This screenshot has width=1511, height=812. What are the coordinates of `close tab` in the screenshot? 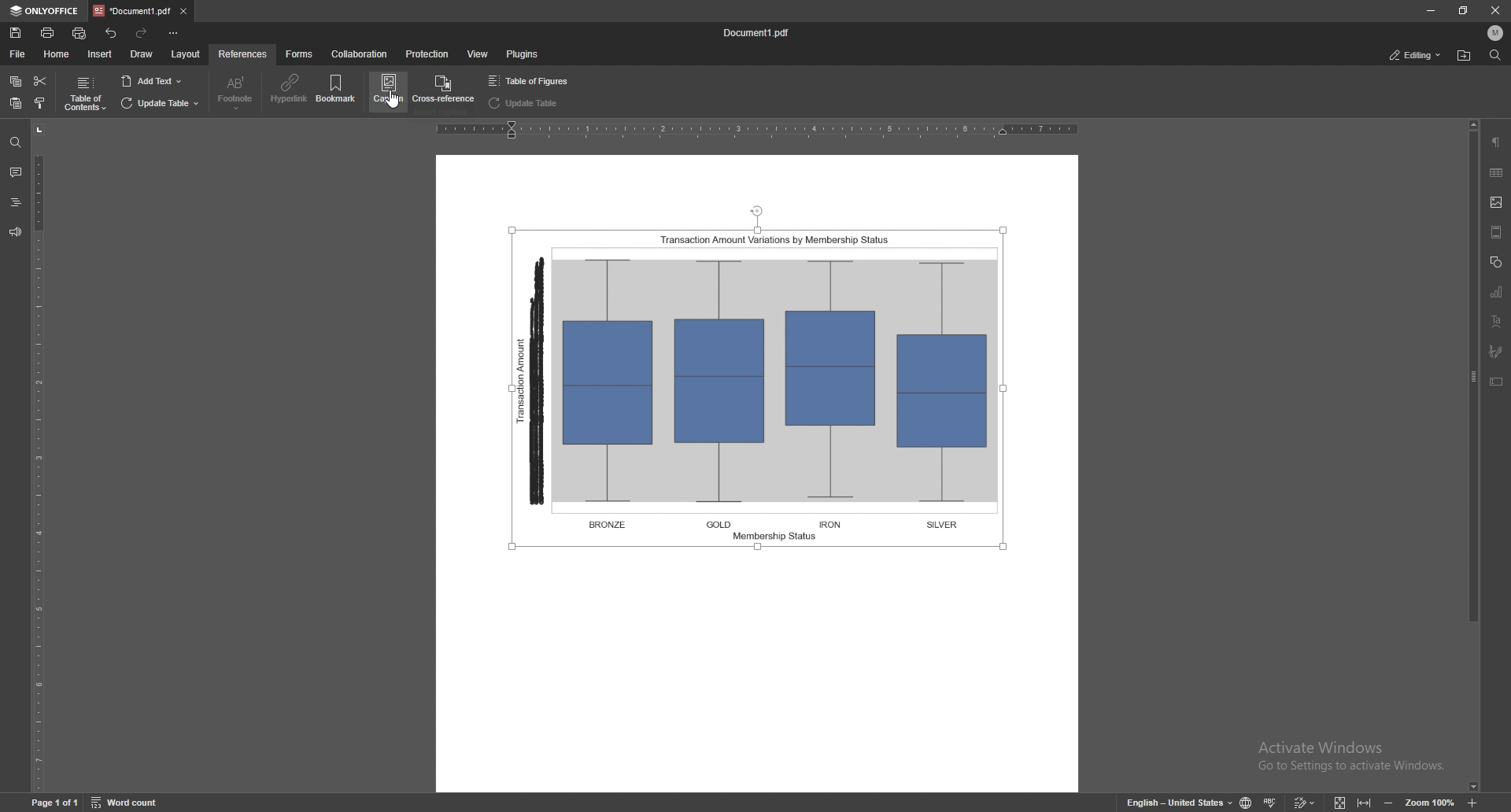 It's located at (183, 12).